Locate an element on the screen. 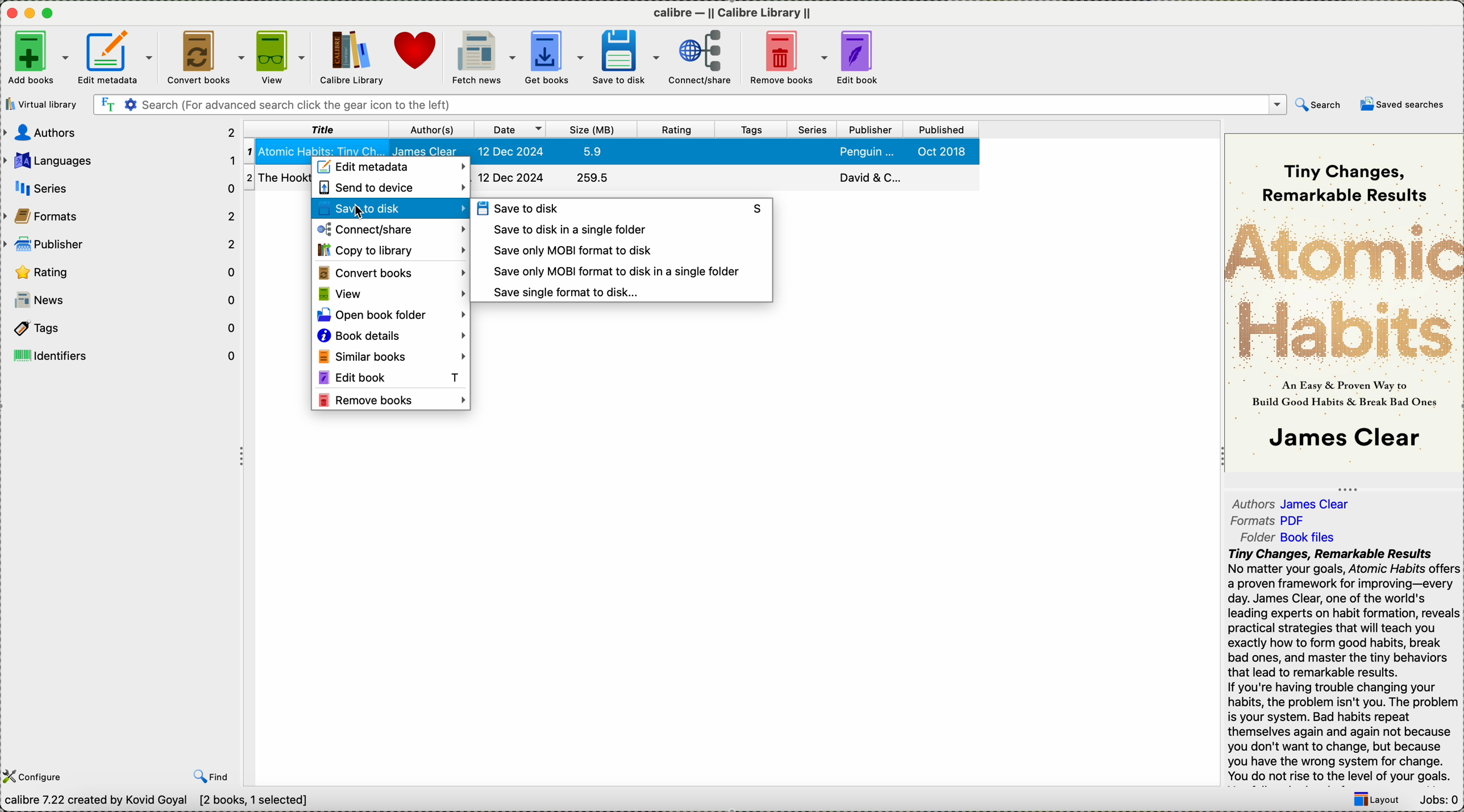  save single format to disk is located at coordinates (567, 292).